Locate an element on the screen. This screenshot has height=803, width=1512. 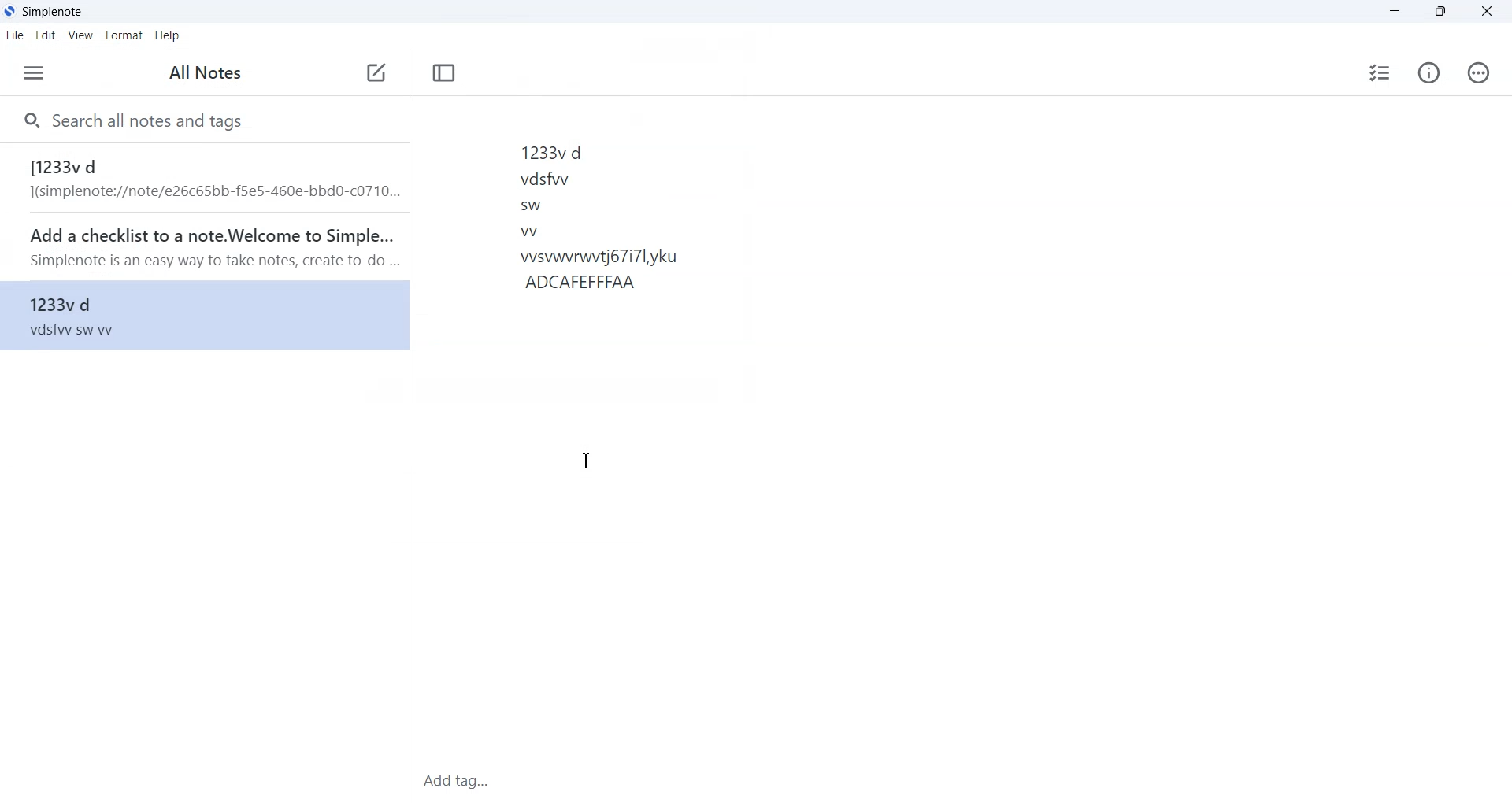
Insert checklist is located at coordinates (1378, 73).